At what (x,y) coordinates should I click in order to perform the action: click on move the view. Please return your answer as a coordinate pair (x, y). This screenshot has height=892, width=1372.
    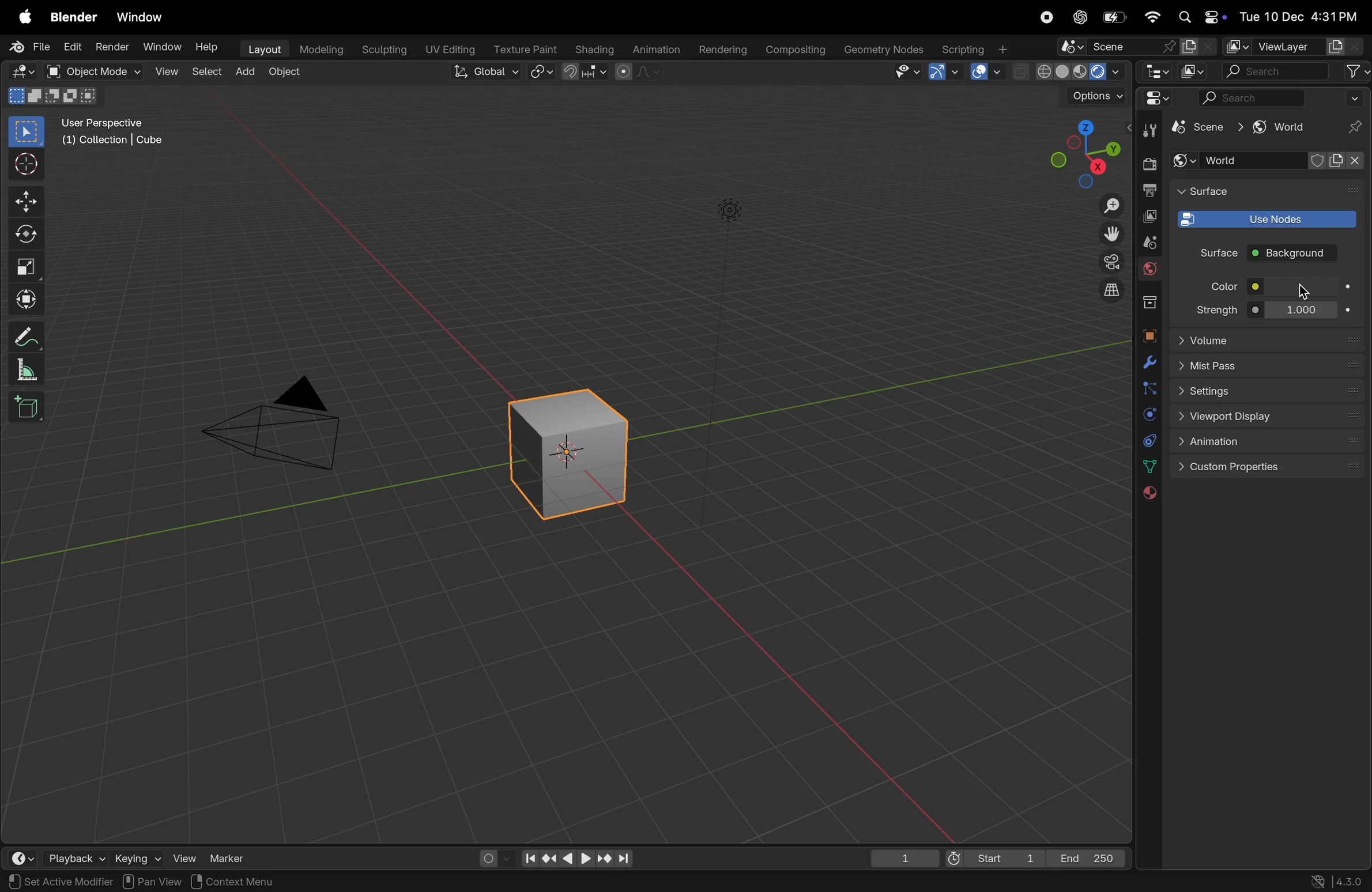
    Looking at the image, I should click on (1107, 233).